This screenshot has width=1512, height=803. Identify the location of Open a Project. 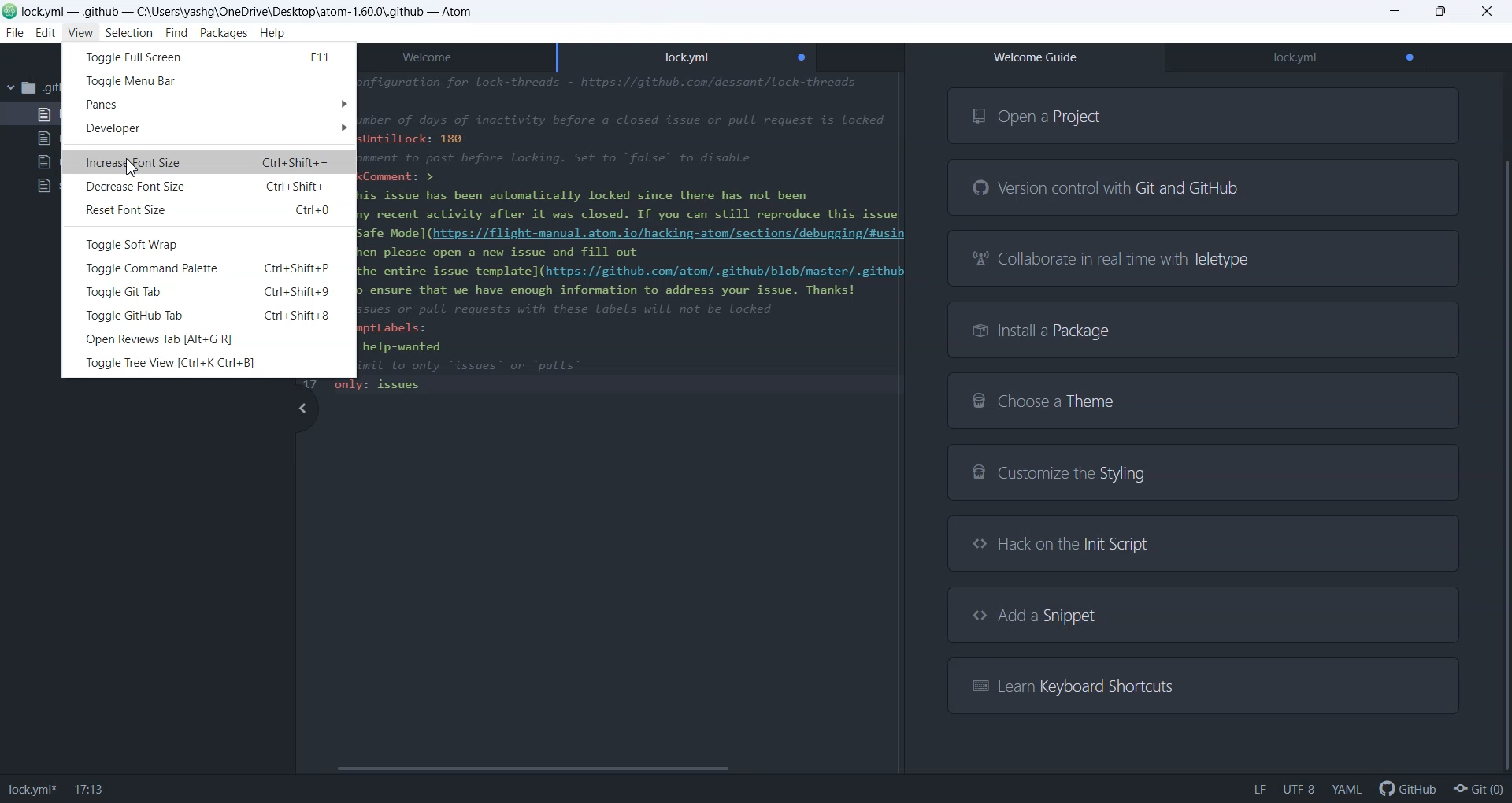
(1204, 115).